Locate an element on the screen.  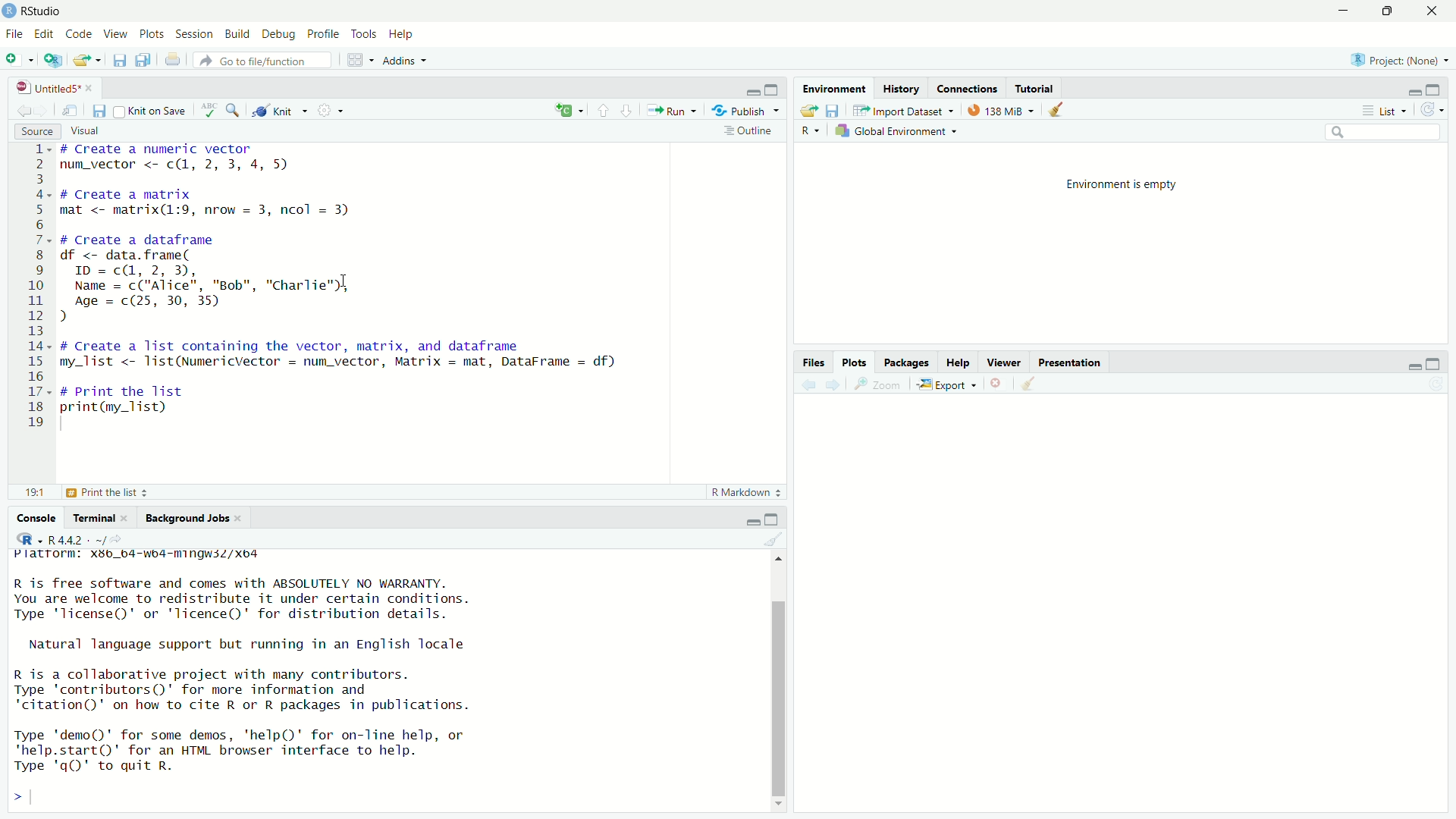
Presentation is located at coordinates (1077, 362).